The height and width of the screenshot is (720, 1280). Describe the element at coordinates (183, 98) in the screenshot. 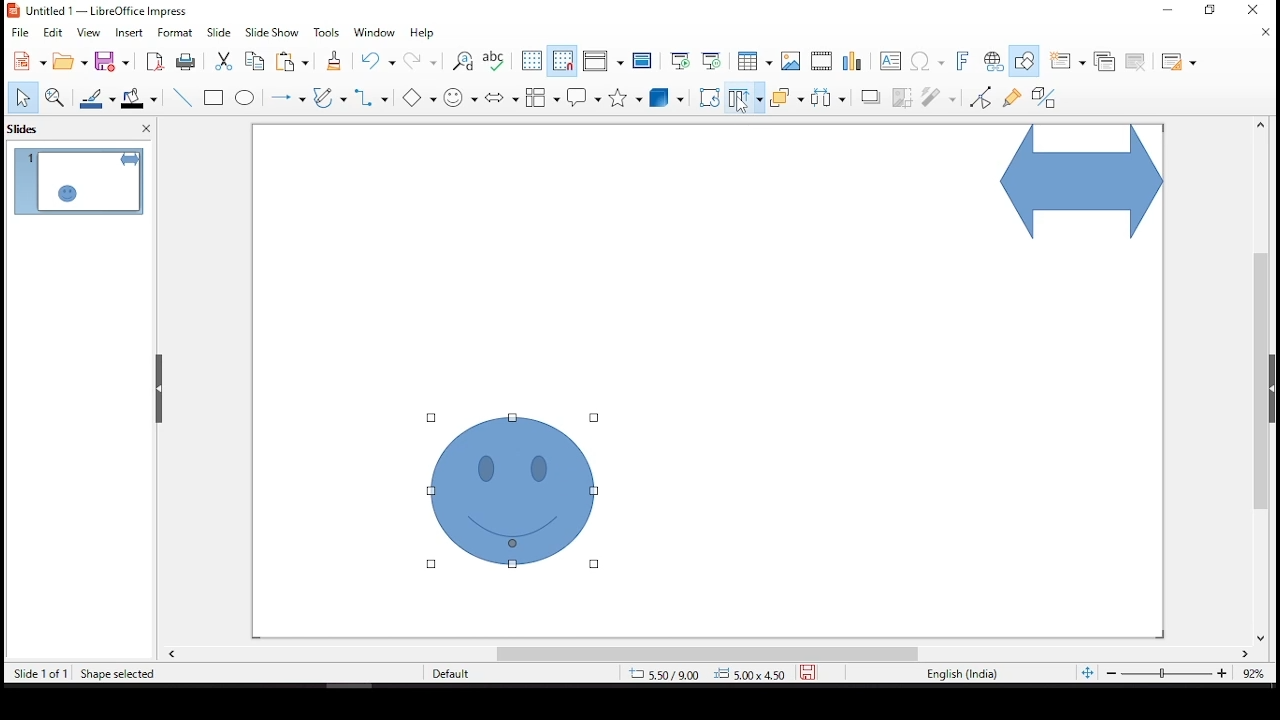

I see `line` at that location.